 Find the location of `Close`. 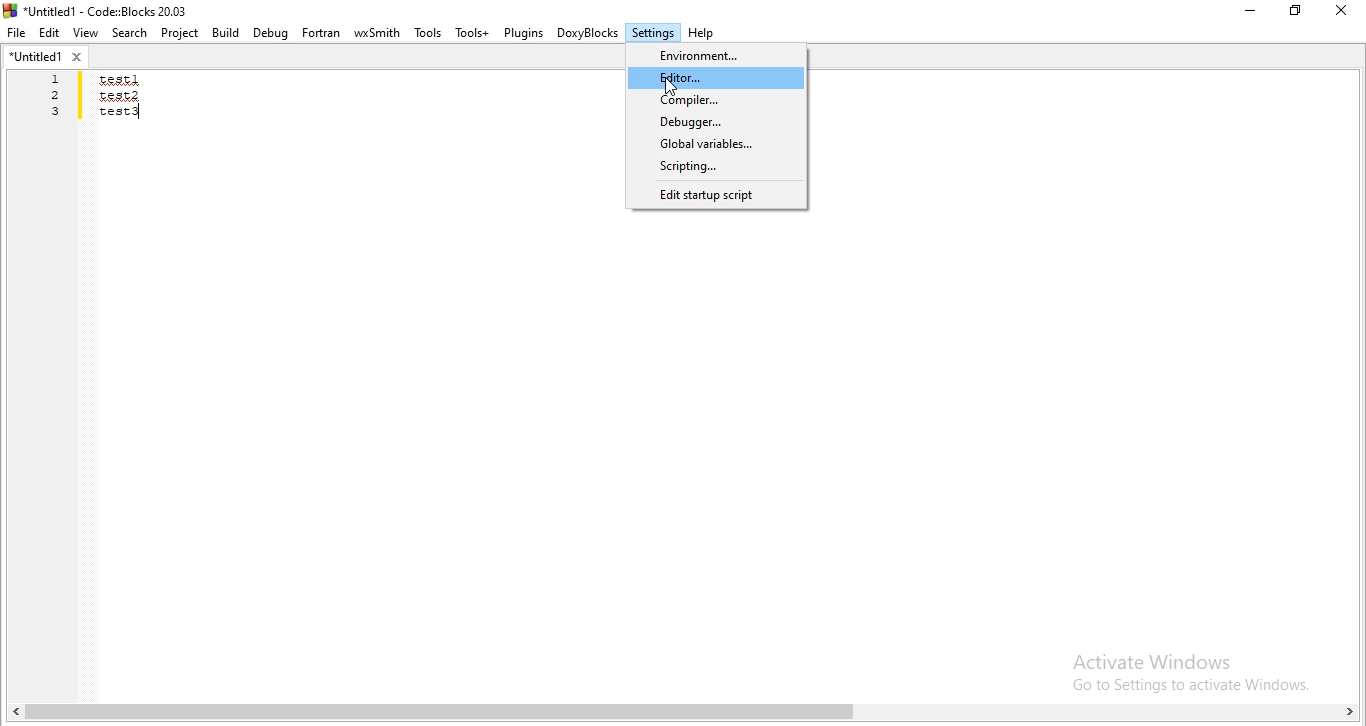

Close is located at coordinates (1339, 11).